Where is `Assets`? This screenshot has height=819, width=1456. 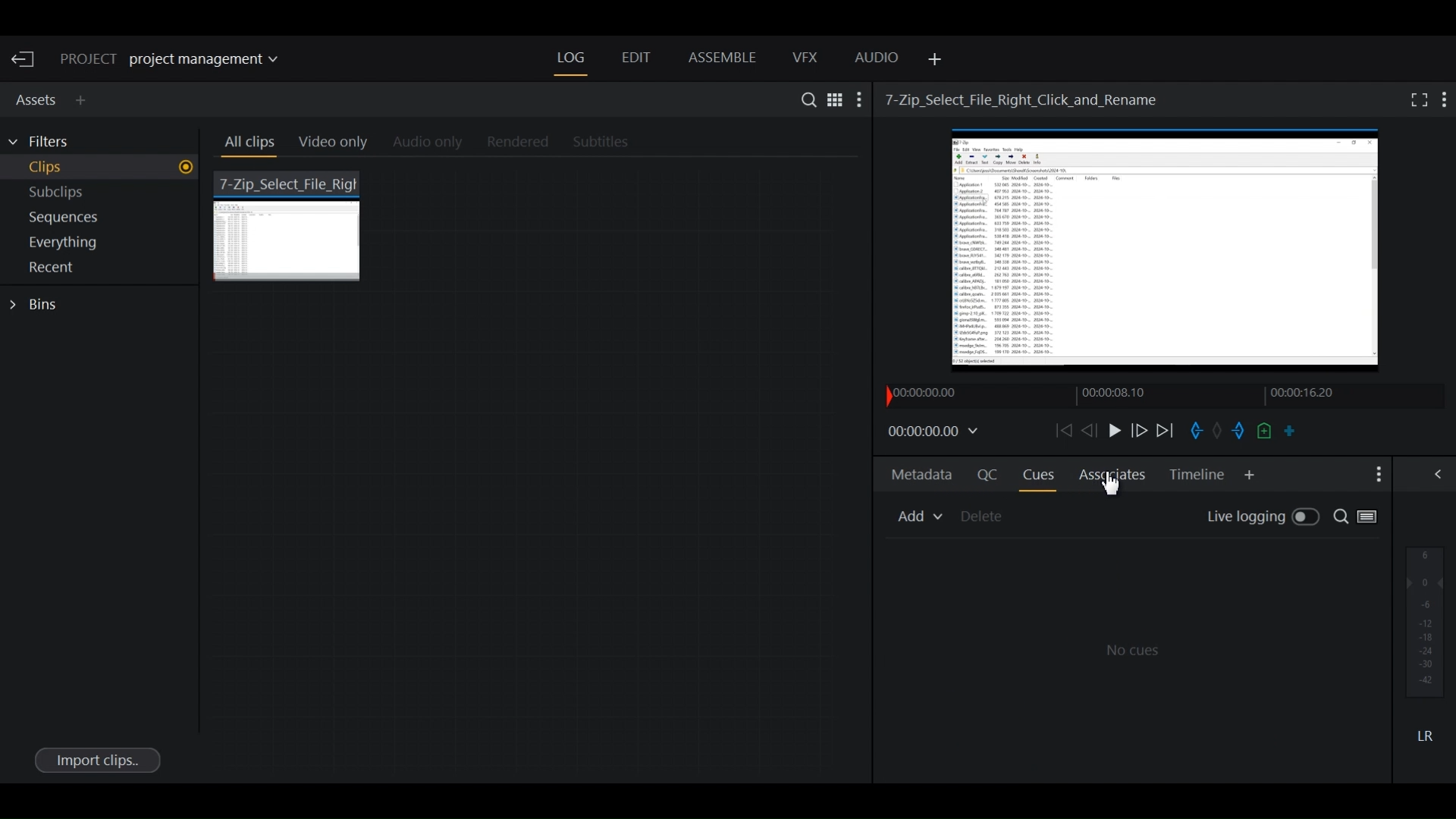
Assets is located at coordinates (33, 98).